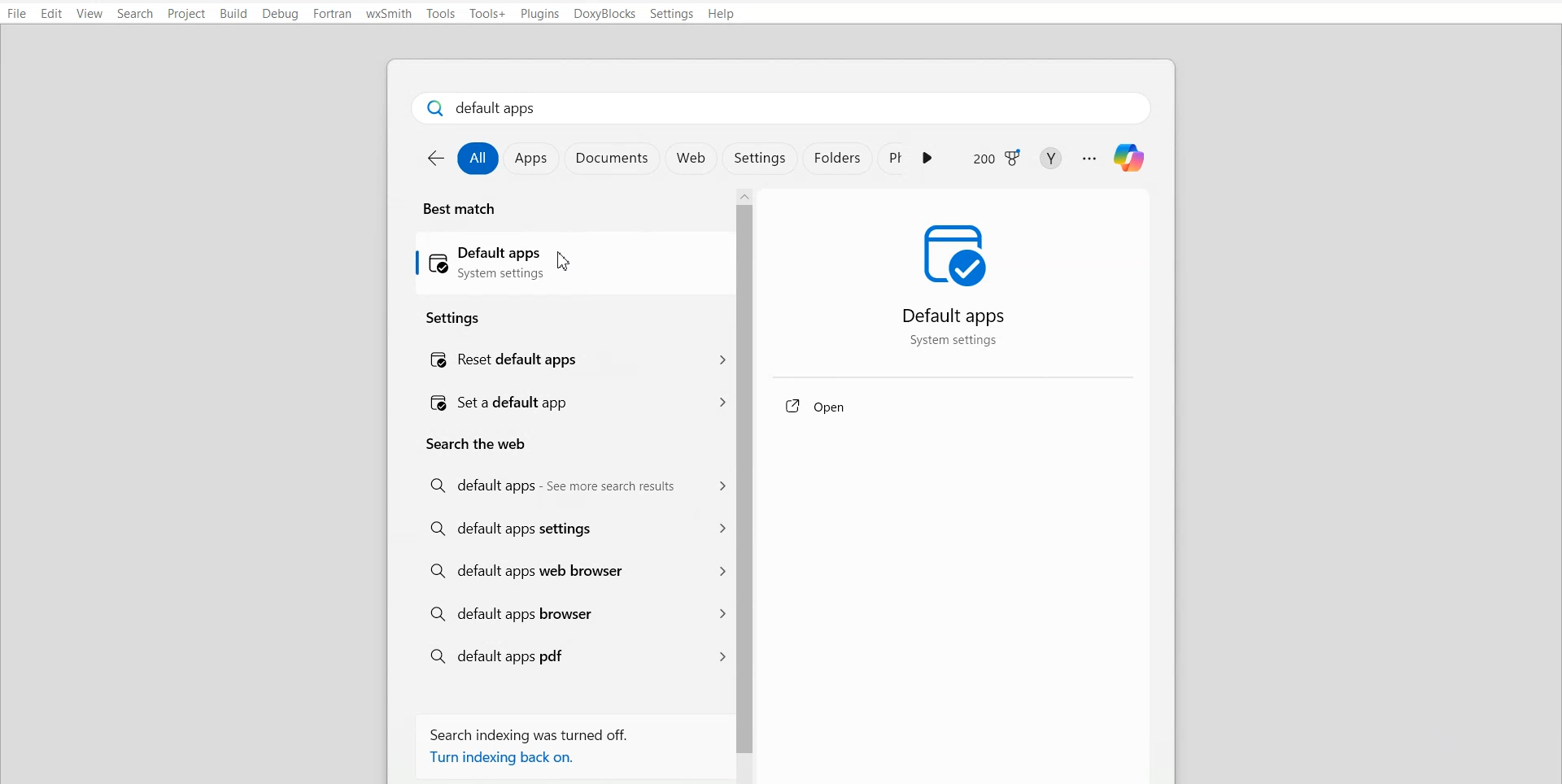 This screenshot has width=1562, height=784. What do you see at coordinates (539, 14) in the screenshot?
I see `Plugins` at bounding box center [539, 14].